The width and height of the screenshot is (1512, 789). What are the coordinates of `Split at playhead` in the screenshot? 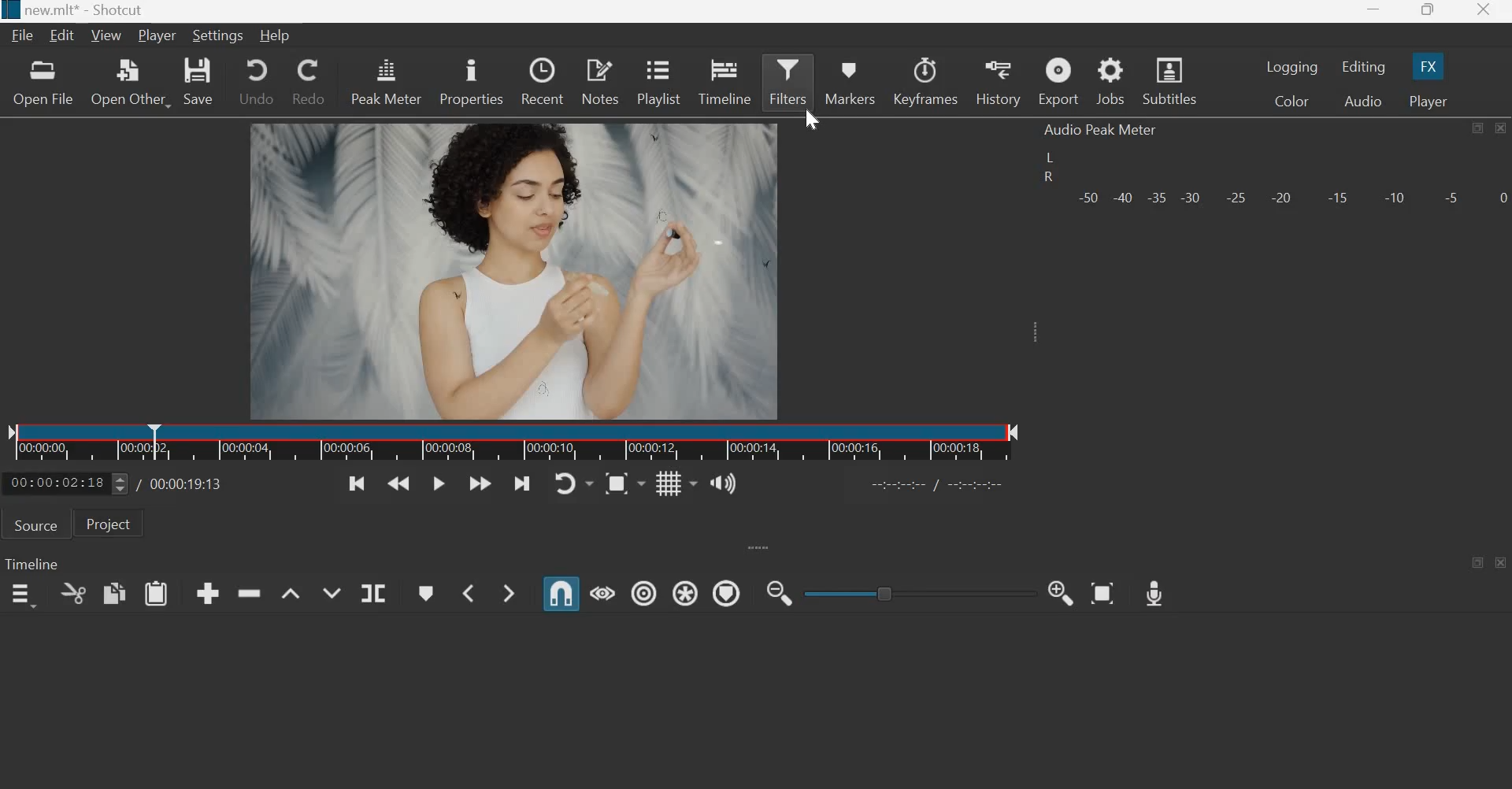 It's located at (373, 592).